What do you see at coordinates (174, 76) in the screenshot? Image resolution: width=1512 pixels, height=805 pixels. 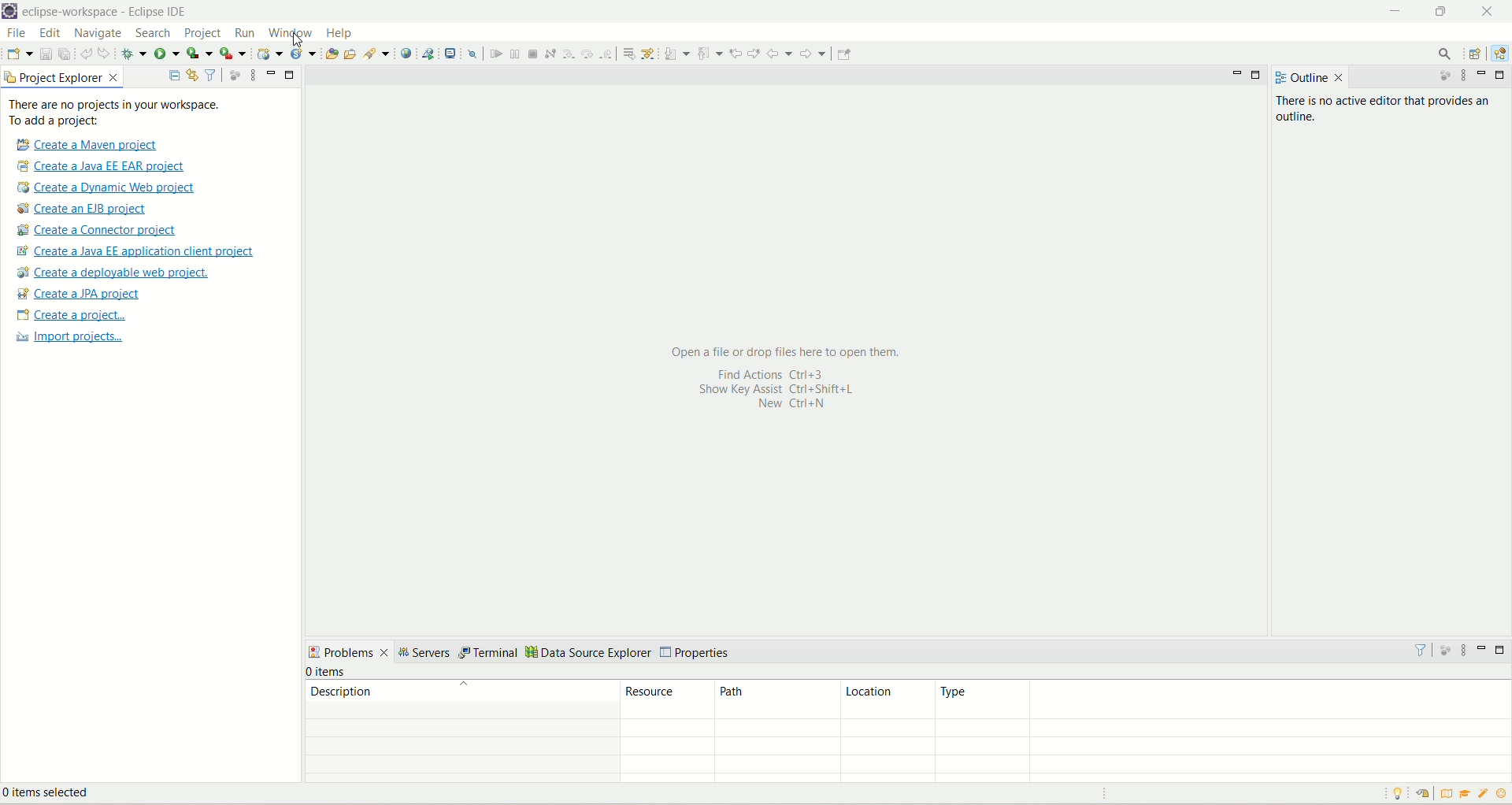 I see `collapse all` at bounding box center [174, 76].